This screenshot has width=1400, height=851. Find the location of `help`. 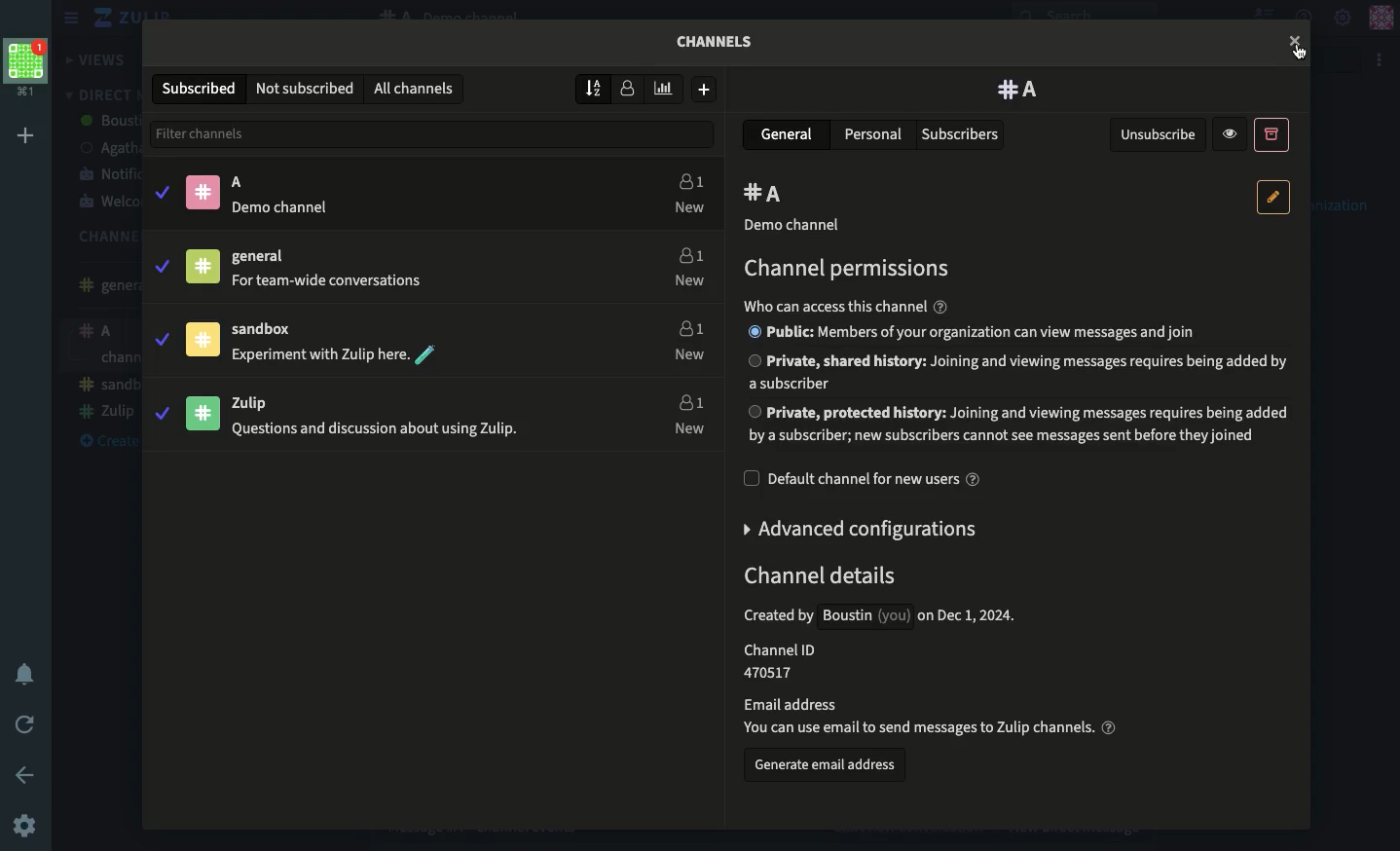

help is located at coordinates (1109, 726).